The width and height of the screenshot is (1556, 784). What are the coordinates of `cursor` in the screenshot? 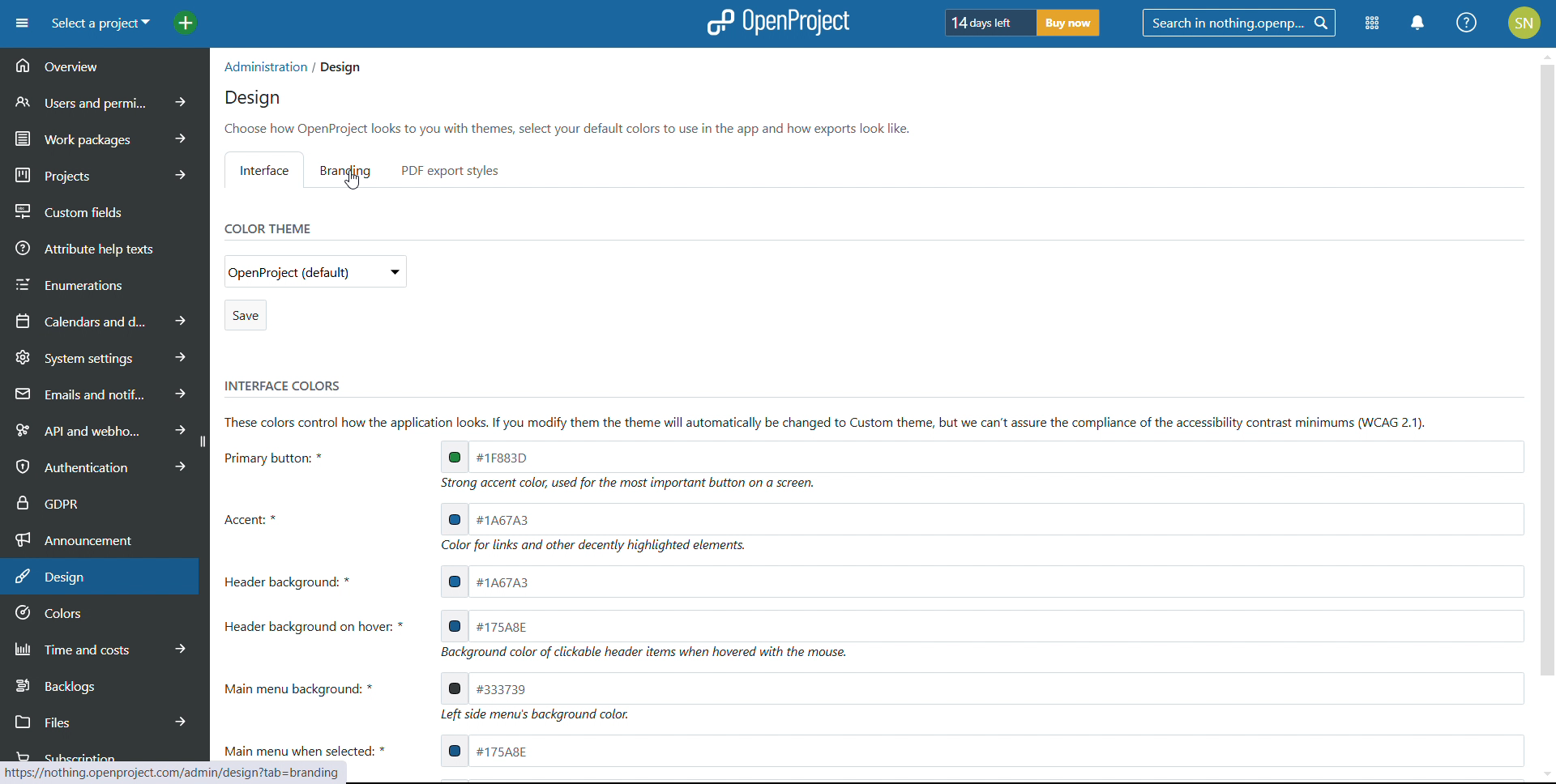 It's located at (356, 182).